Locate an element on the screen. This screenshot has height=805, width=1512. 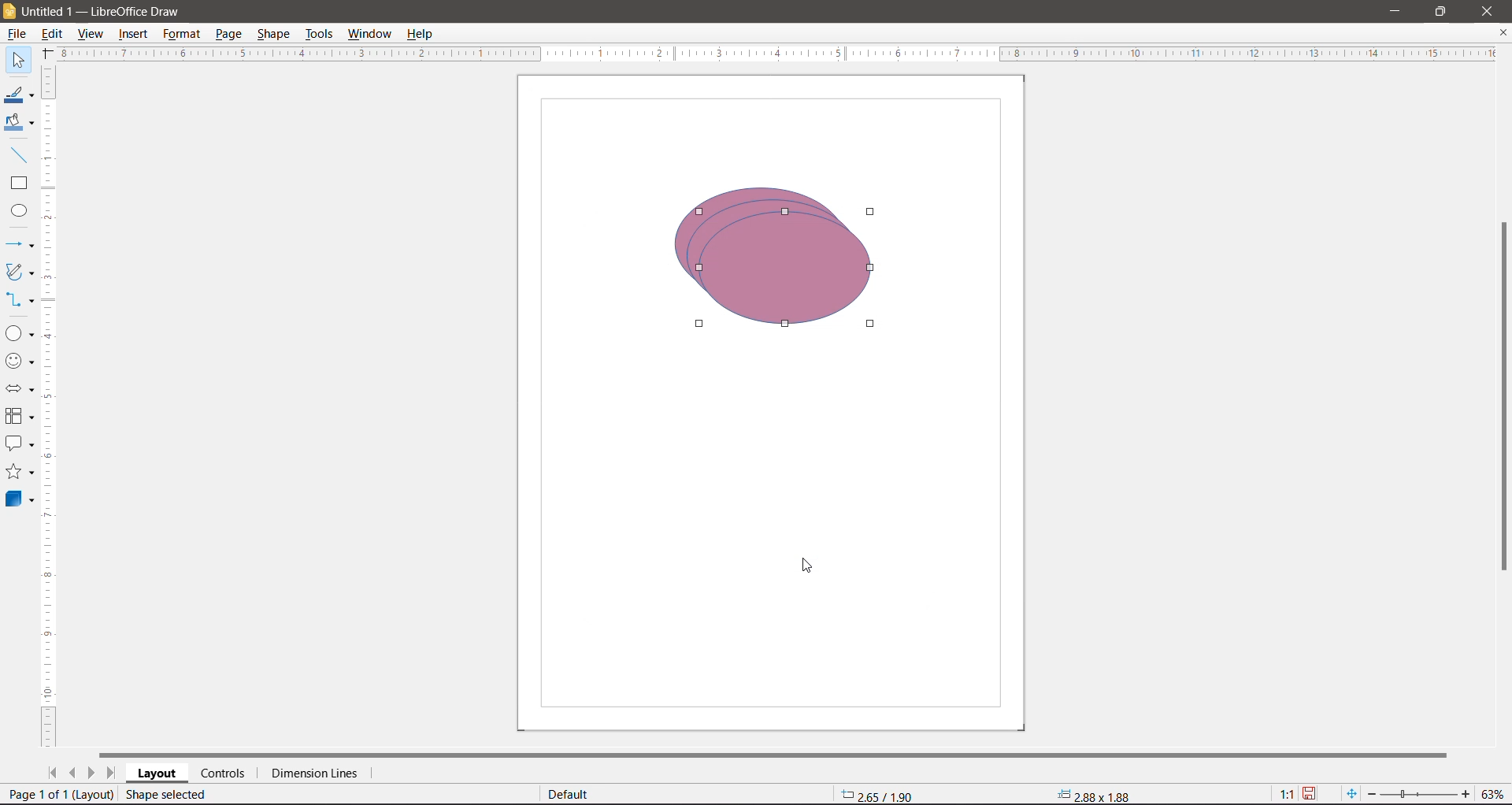
Scroll to last page is located at coordinates (111, 773).